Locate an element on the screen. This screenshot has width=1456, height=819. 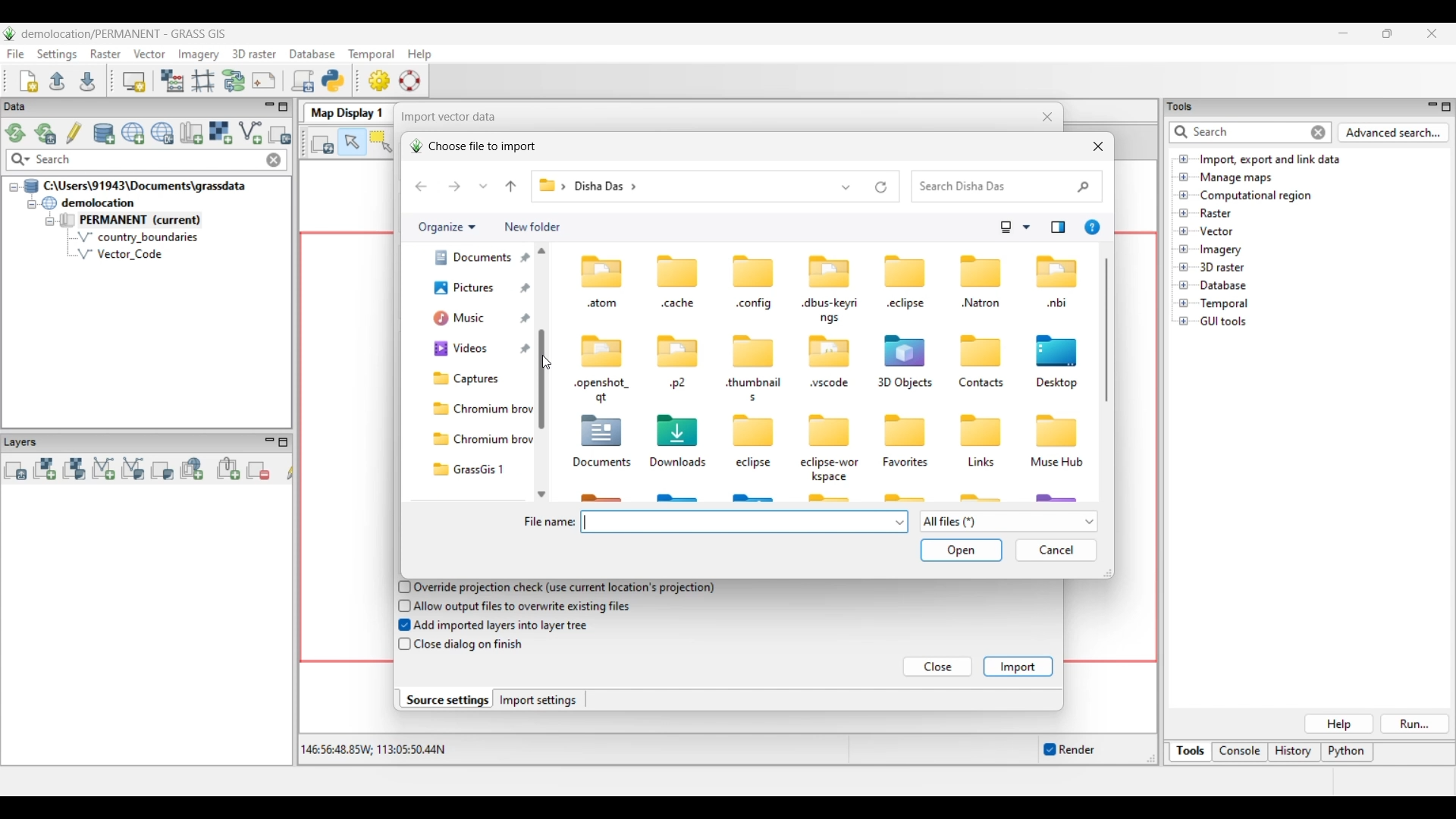
Create new workspace is located at coordinates (30, 81).